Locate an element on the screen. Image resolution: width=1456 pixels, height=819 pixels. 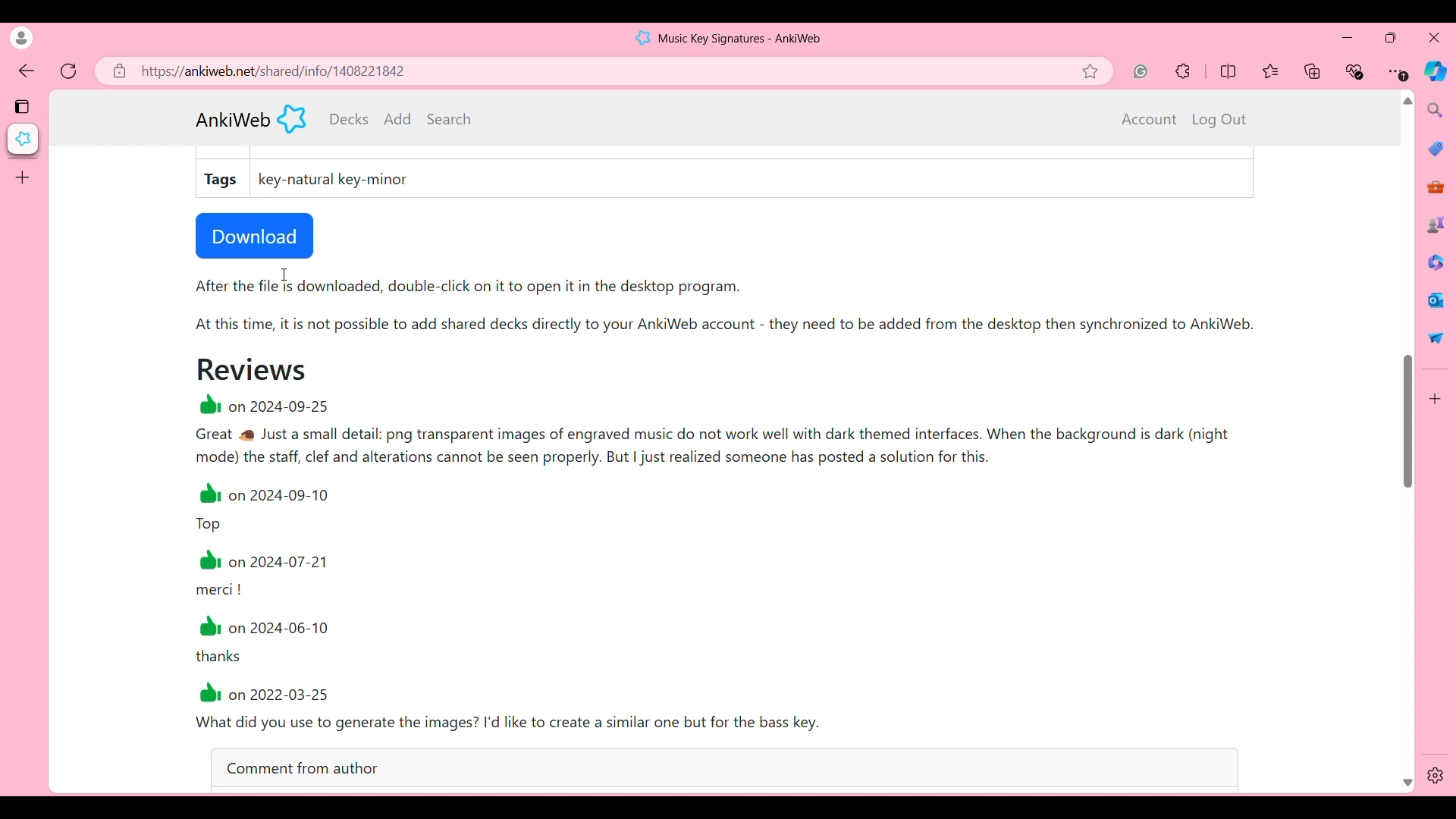
Close browser is located at coordinates (1434, 37).